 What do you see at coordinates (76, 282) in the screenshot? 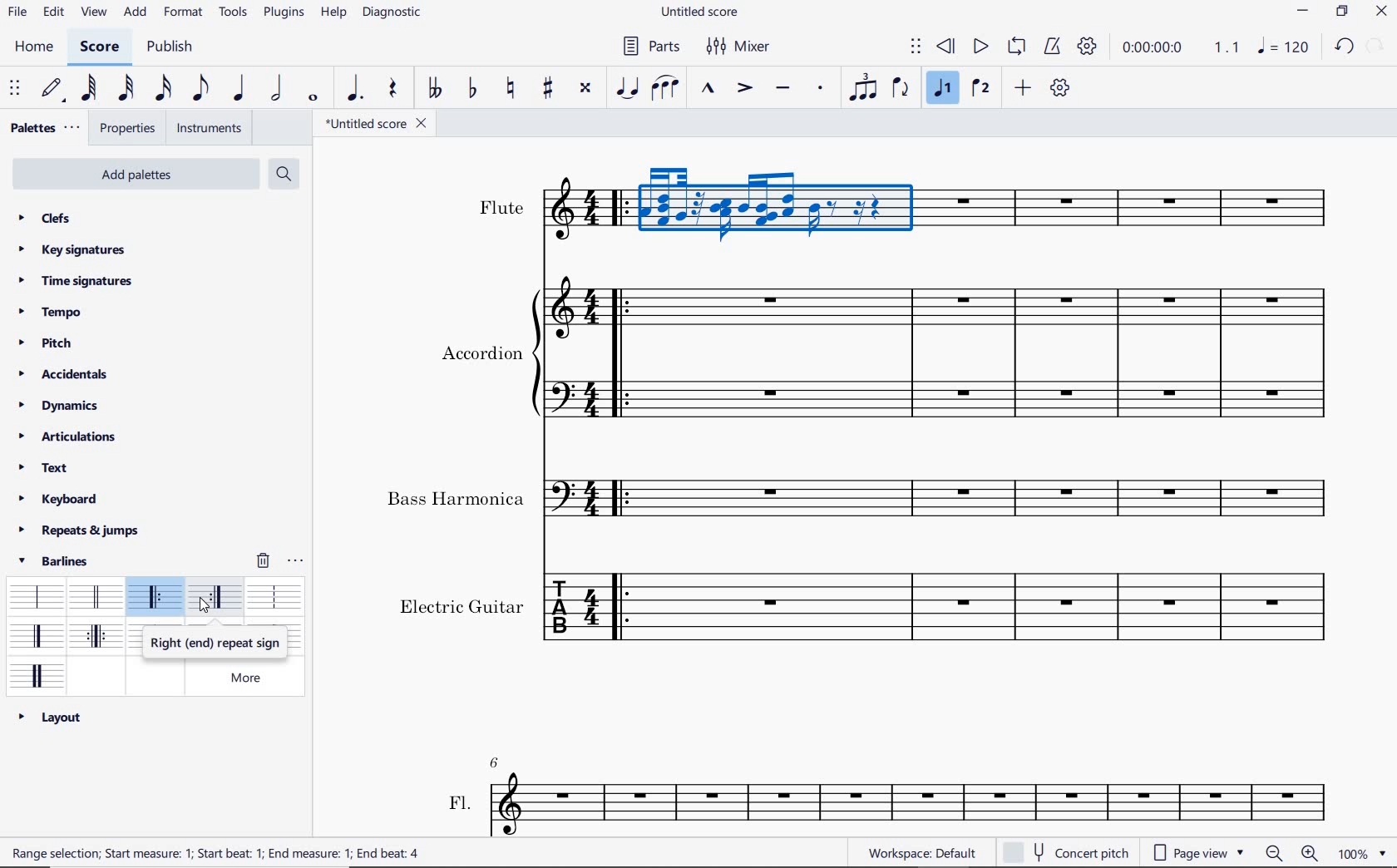
I see `time signatures` at bounding box center [76, 282].